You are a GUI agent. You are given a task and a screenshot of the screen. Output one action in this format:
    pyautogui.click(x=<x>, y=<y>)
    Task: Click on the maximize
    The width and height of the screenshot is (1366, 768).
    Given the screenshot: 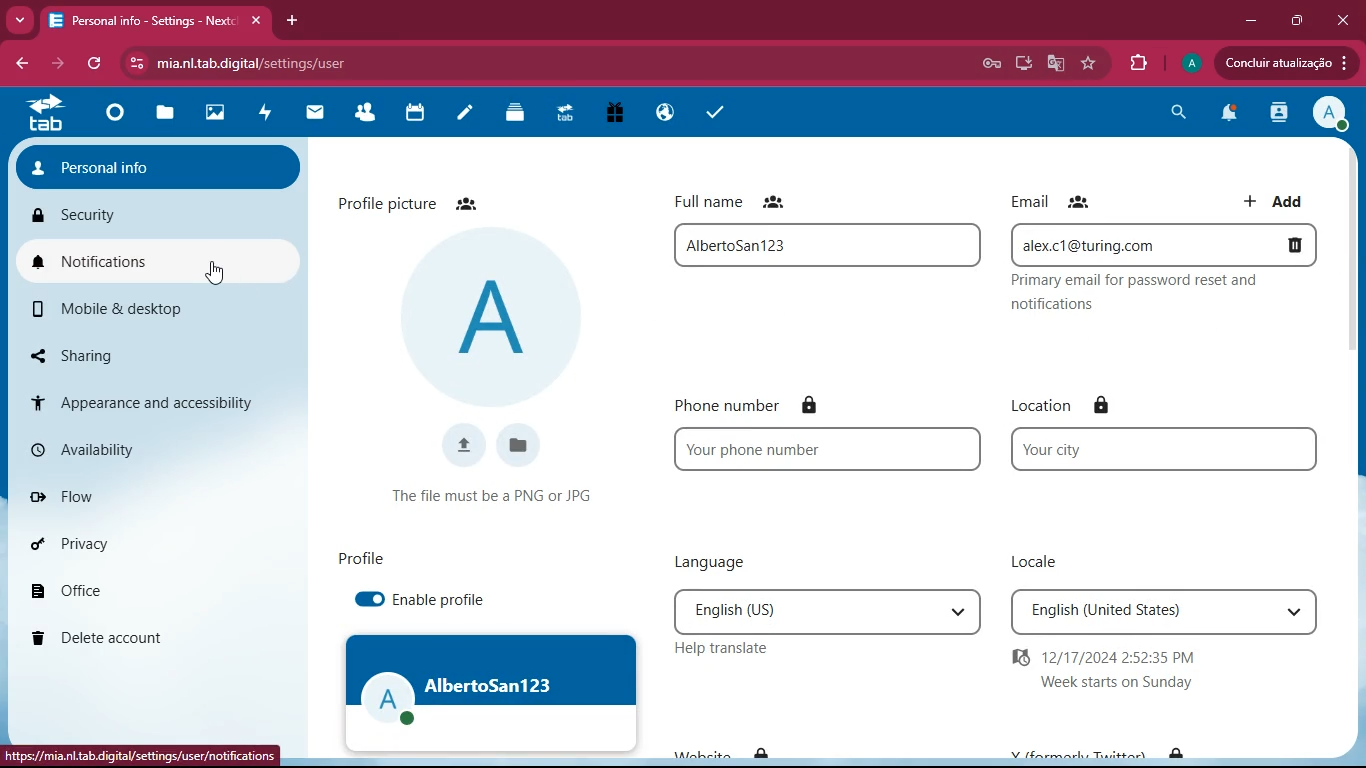 What is the action you would take?
    pyautogui.click(x=1296, y=22)
    